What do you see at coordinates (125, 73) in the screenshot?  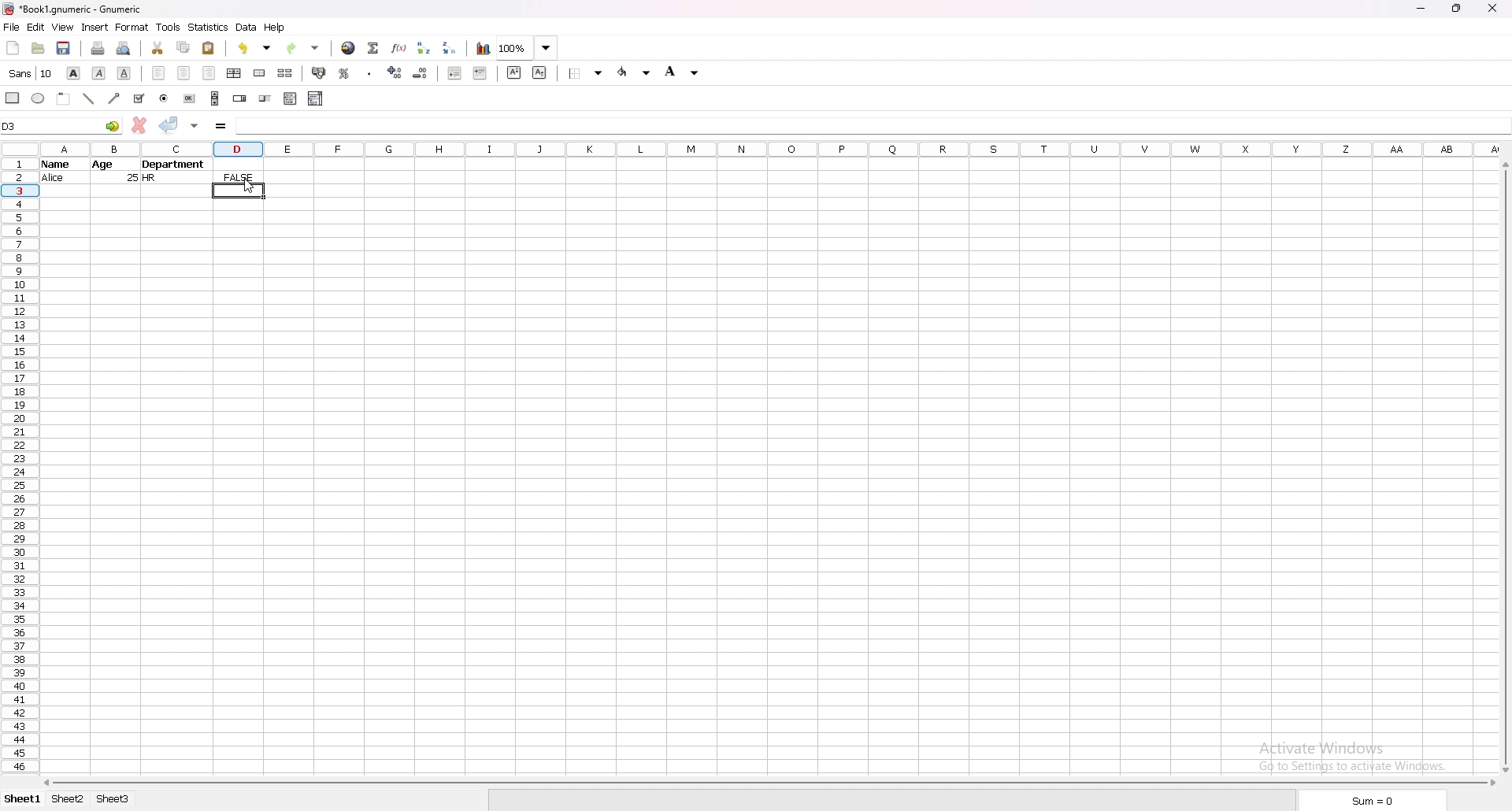 I see `underline` at bounding box center [125, 73].